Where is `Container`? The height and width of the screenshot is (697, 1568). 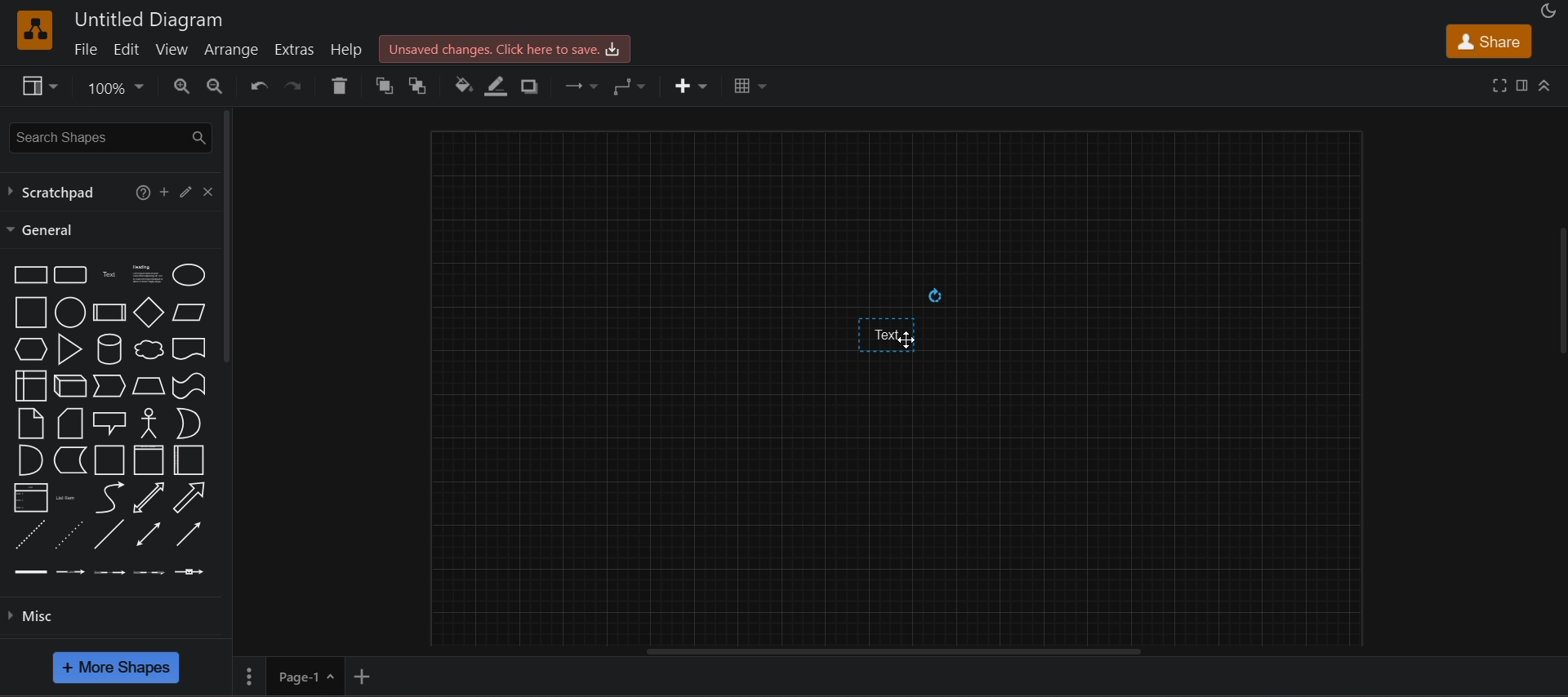 Container is located at coordinates (149, 460).